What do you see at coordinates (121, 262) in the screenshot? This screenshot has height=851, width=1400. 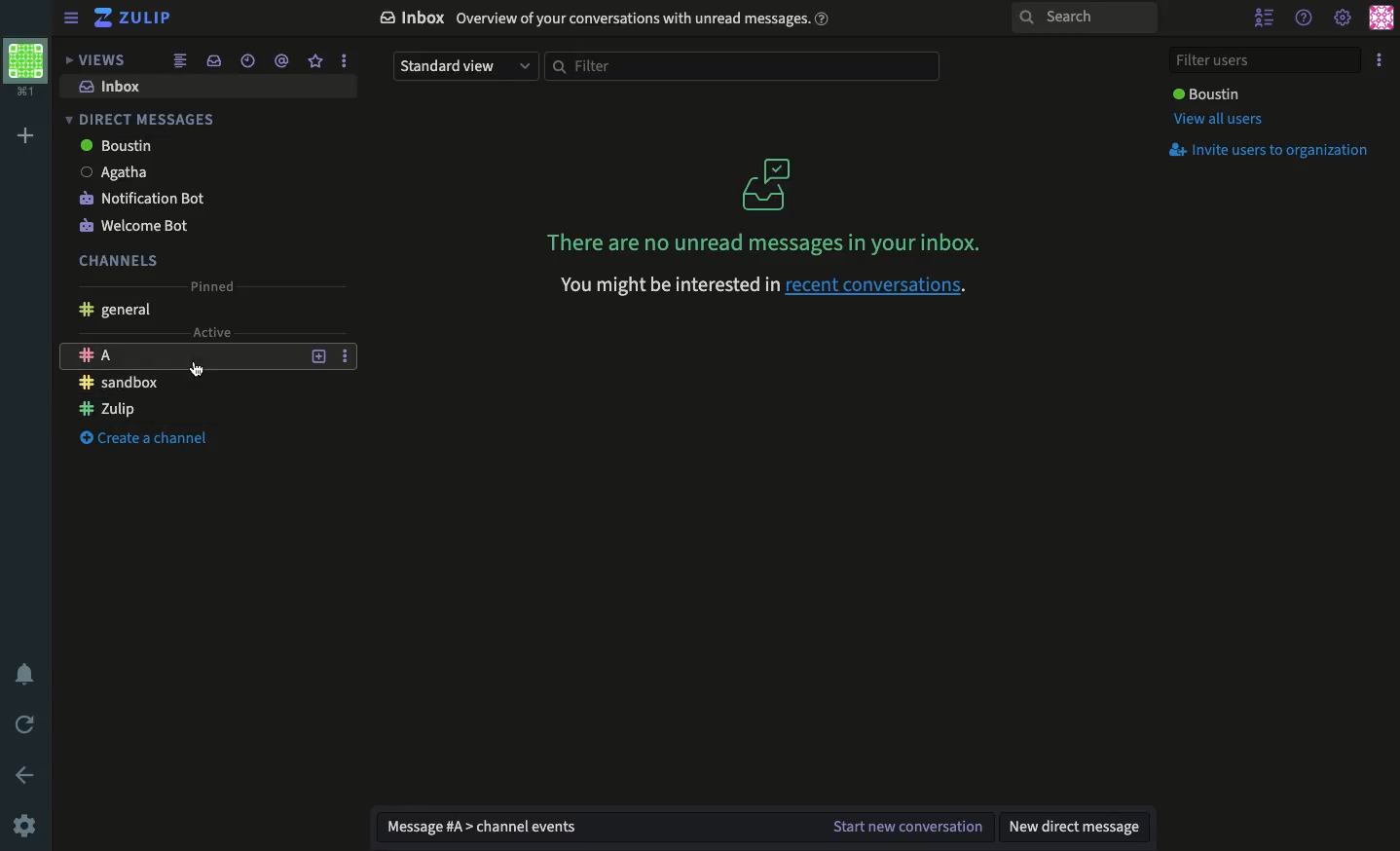 I see `Channels` at bounding box center [121, 262].